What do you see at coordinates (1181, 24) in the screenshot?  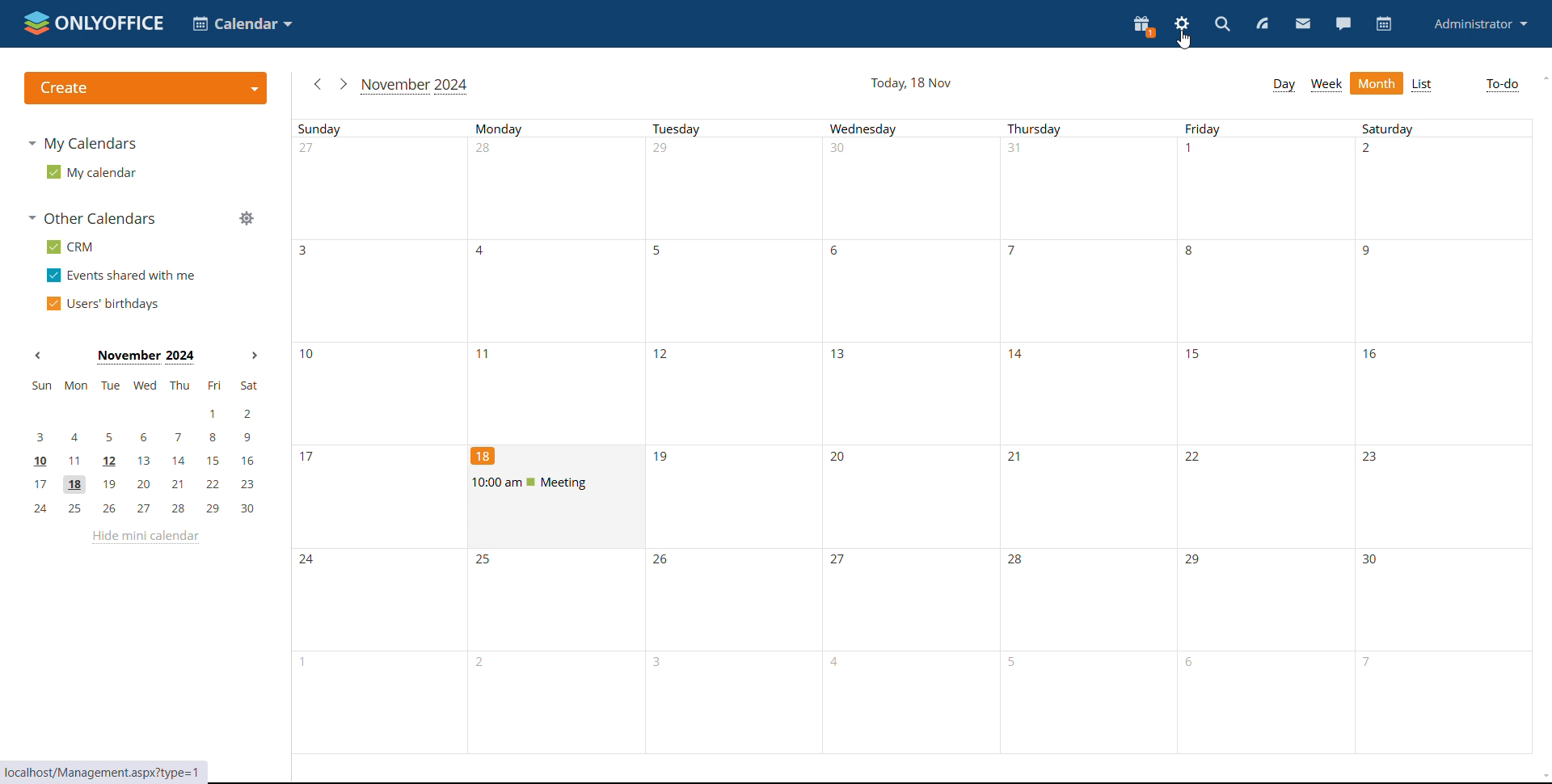 I see `settings` at bounding box center [1181, 24].